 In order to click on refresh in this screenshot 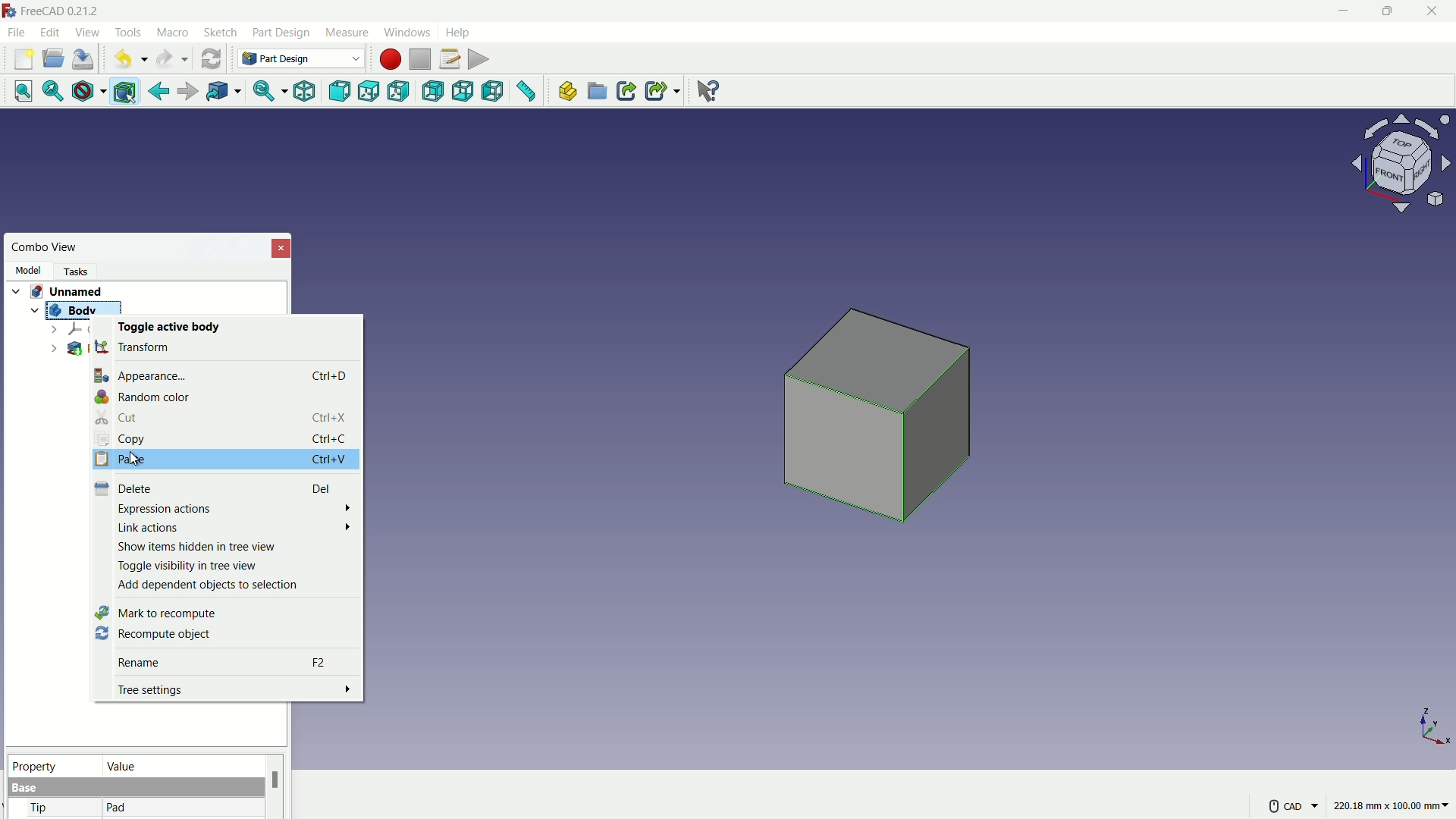, I will do `click(211, 58)`.